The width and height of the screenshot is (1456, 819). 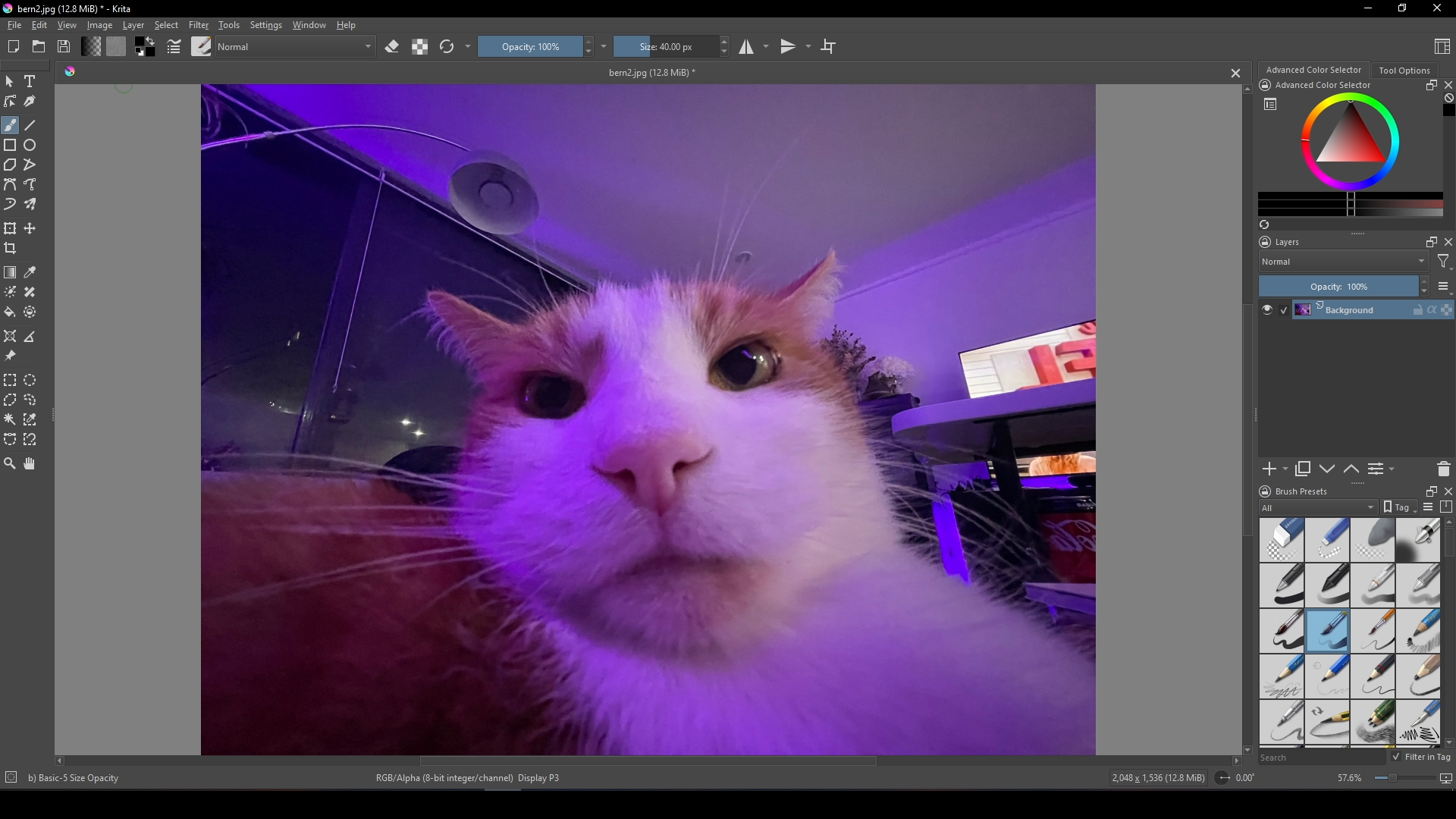 What do you see at coordinates (55, 416) in the screenshot?
I see `Left panel slider` at bounding box center [55, 416].